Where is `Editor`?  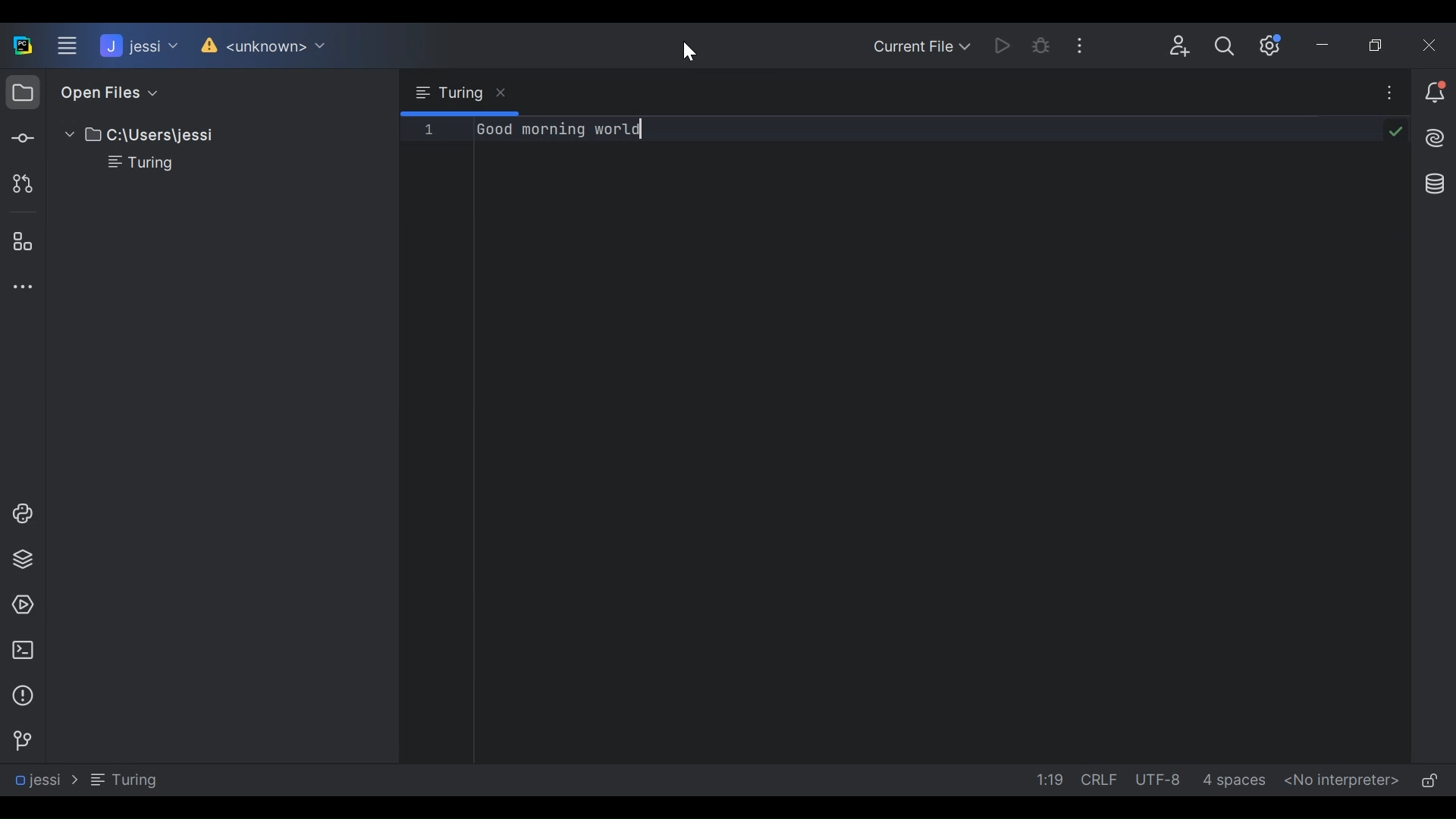
Editor is located at coordinates (874, 442).